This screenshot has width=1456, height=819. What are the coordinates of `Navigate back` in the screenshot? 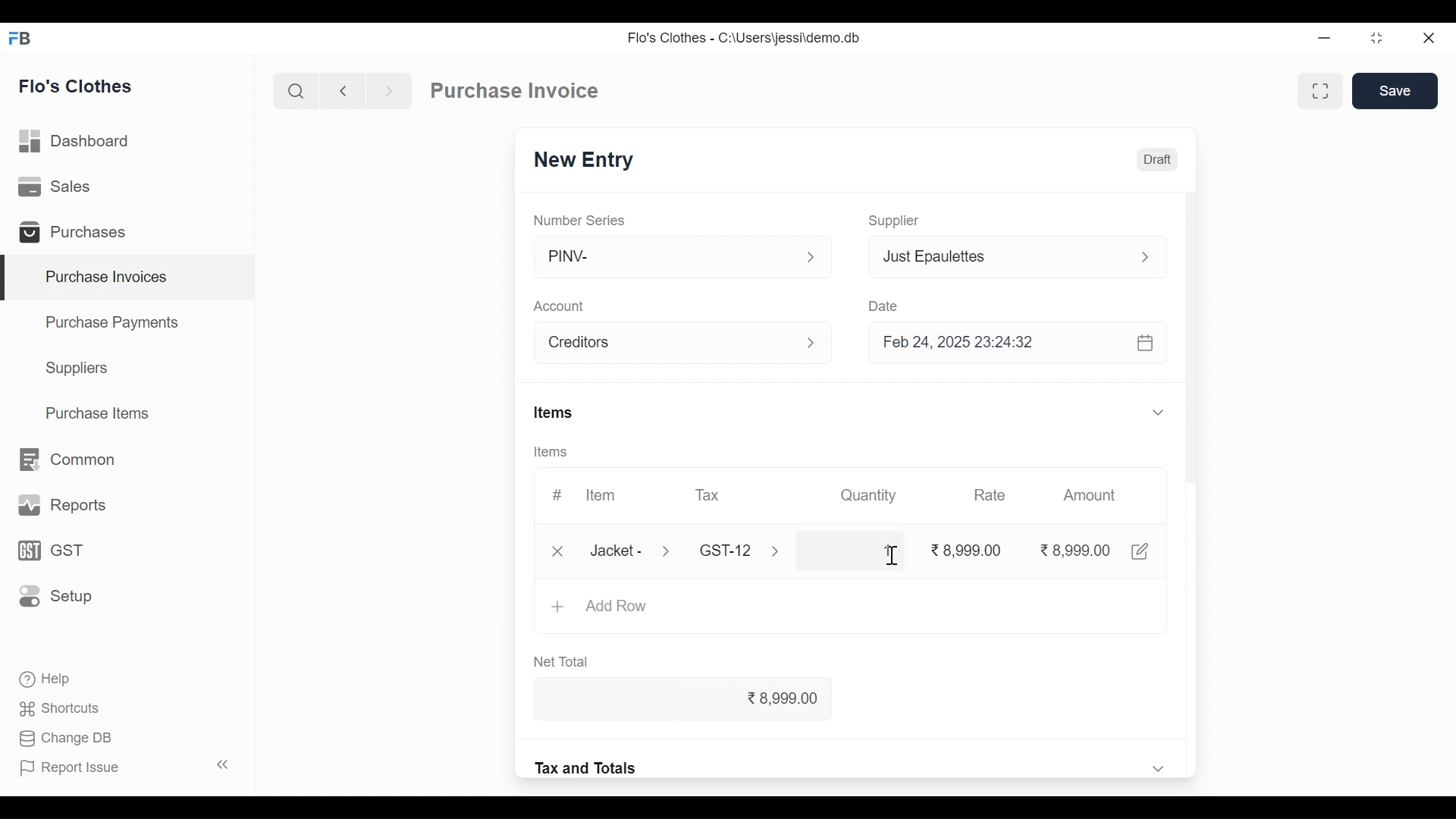 It's located at (340, 91).